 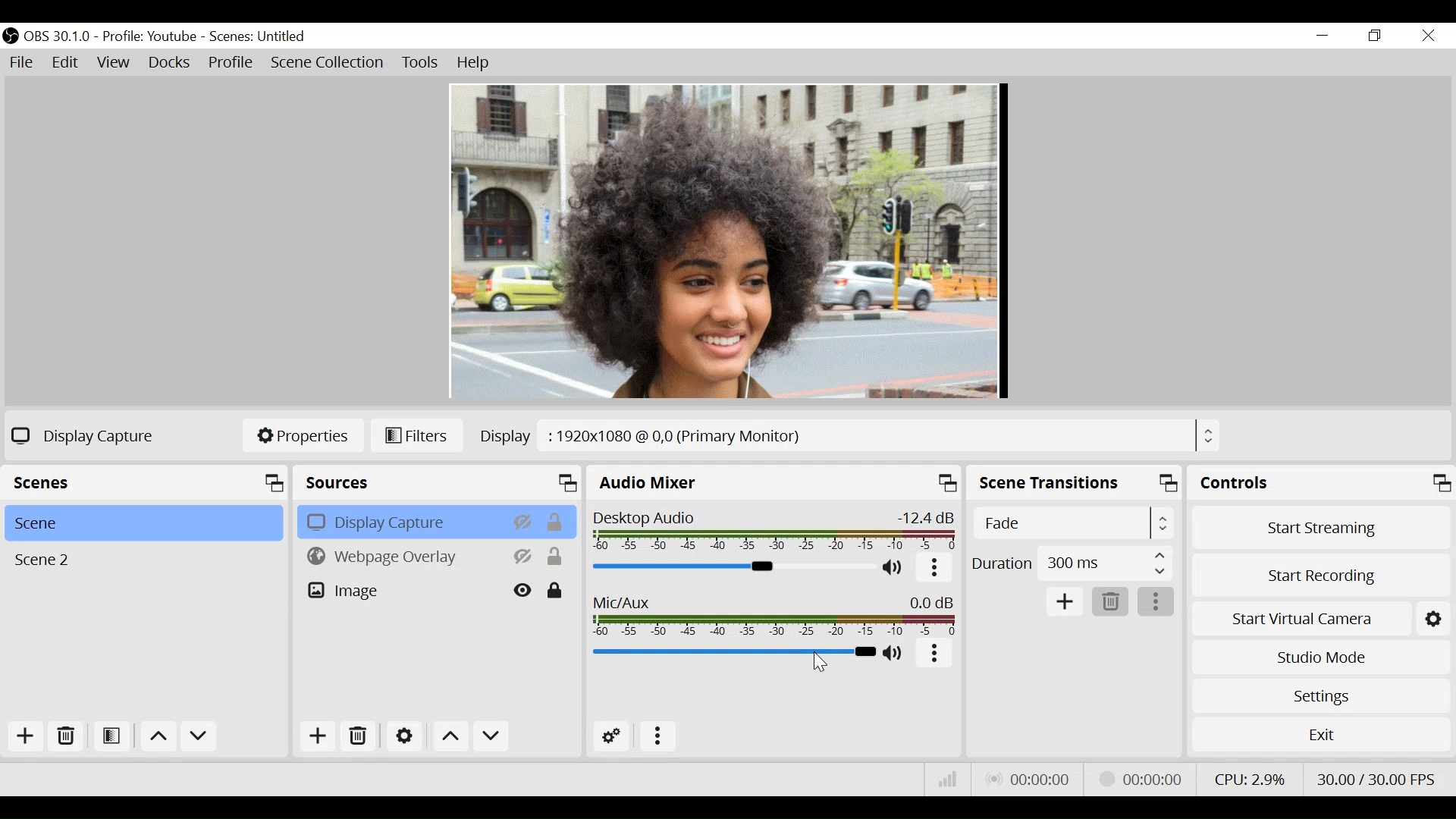 I want to click on Docks, so click(x=170, y=63).